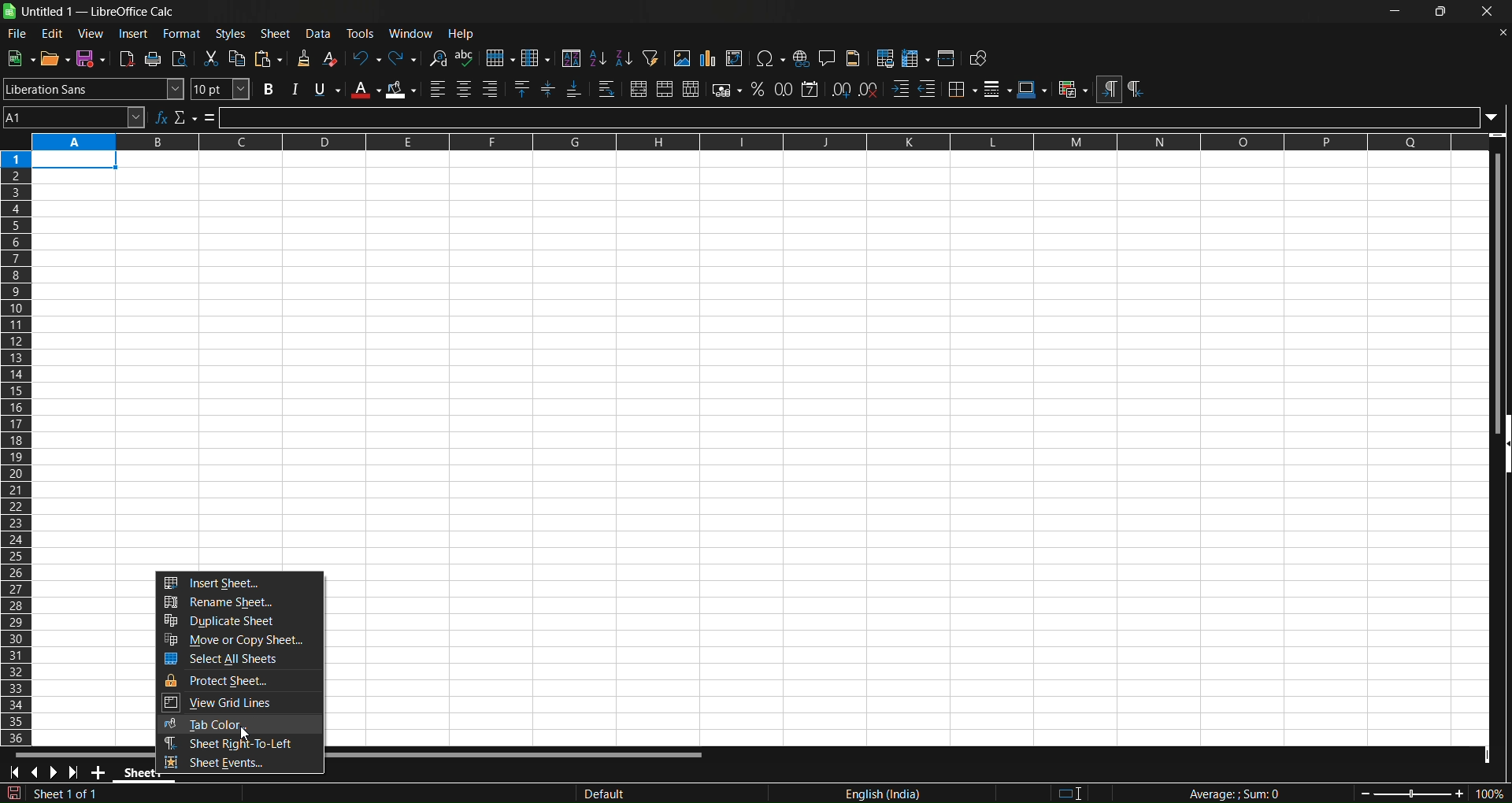  Describe the element at coordinates (15, 773) in the screenshot. I see `scroll to first sheet` at that location.